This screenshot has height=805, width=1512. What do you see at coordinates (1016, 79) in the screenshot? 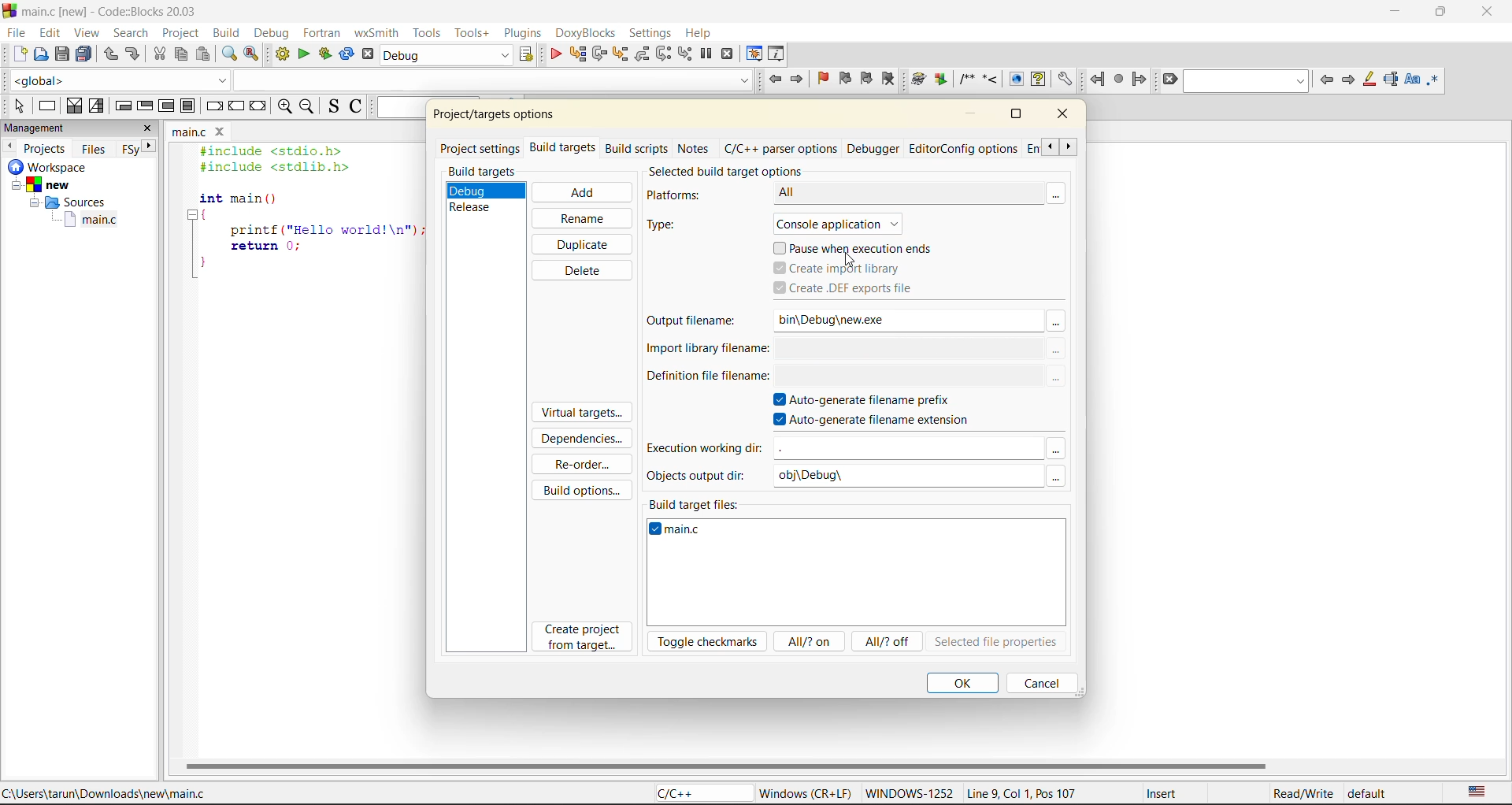
I see `View generated HTML documentation` at bounding box center [1016, 79].